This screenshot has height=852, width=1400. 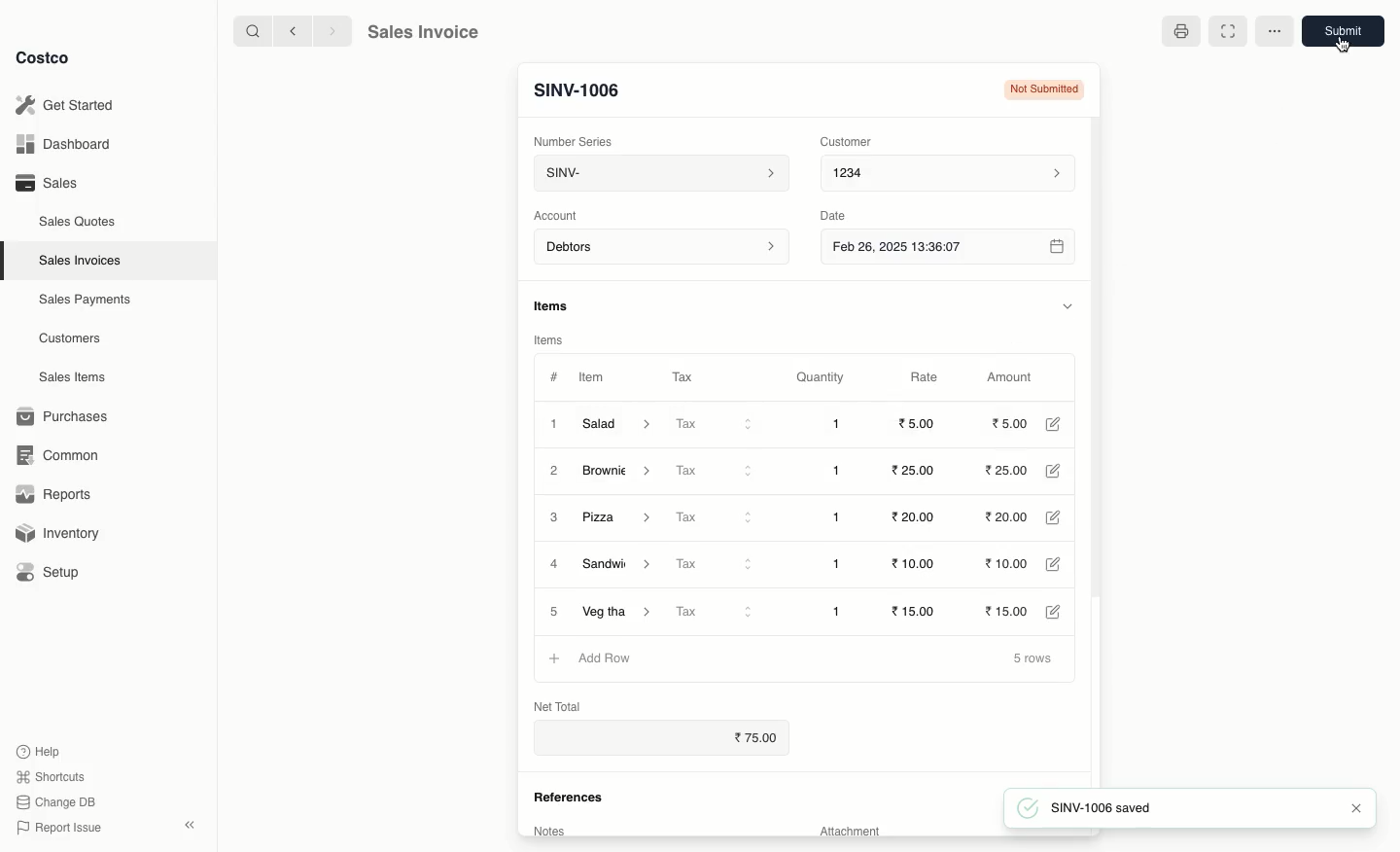 What do you see at coordinates (1056, 472) in the screenshot?
I see `Edit` at bounding box center [1056, 472].